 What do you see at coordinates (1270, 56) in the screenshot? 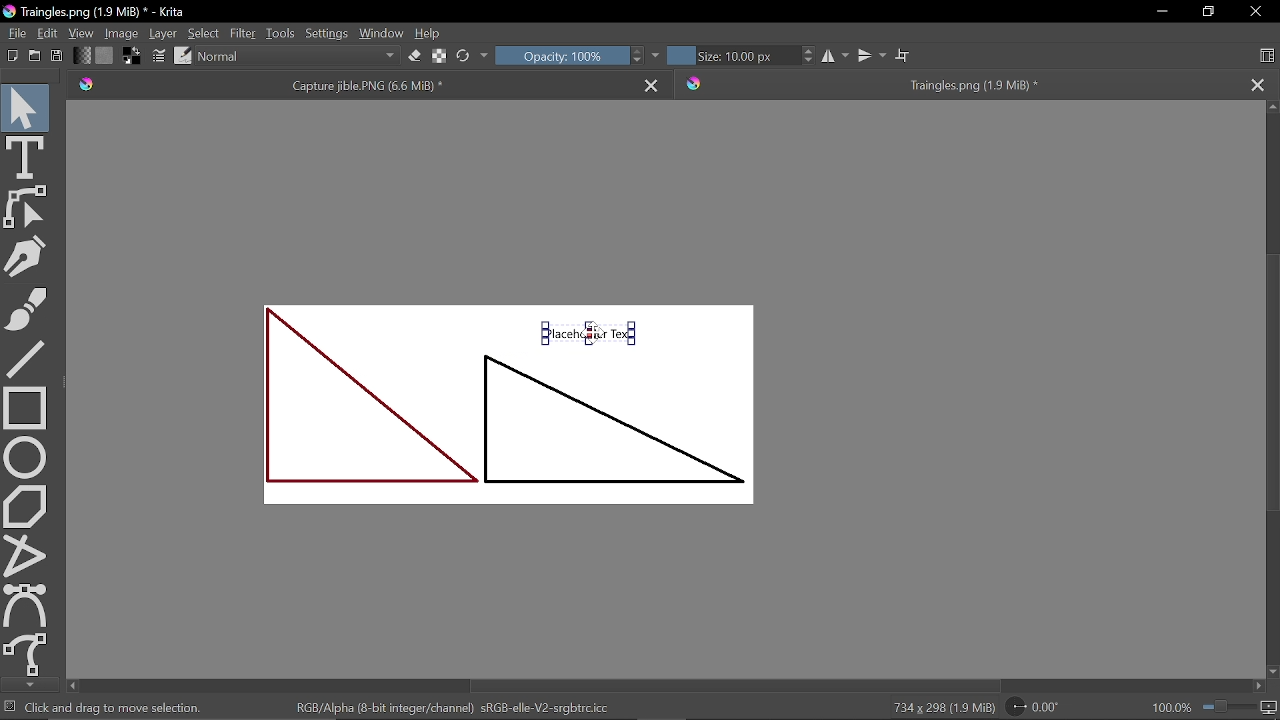
I see `Choose workspace` at bounding box center [1270, 56].